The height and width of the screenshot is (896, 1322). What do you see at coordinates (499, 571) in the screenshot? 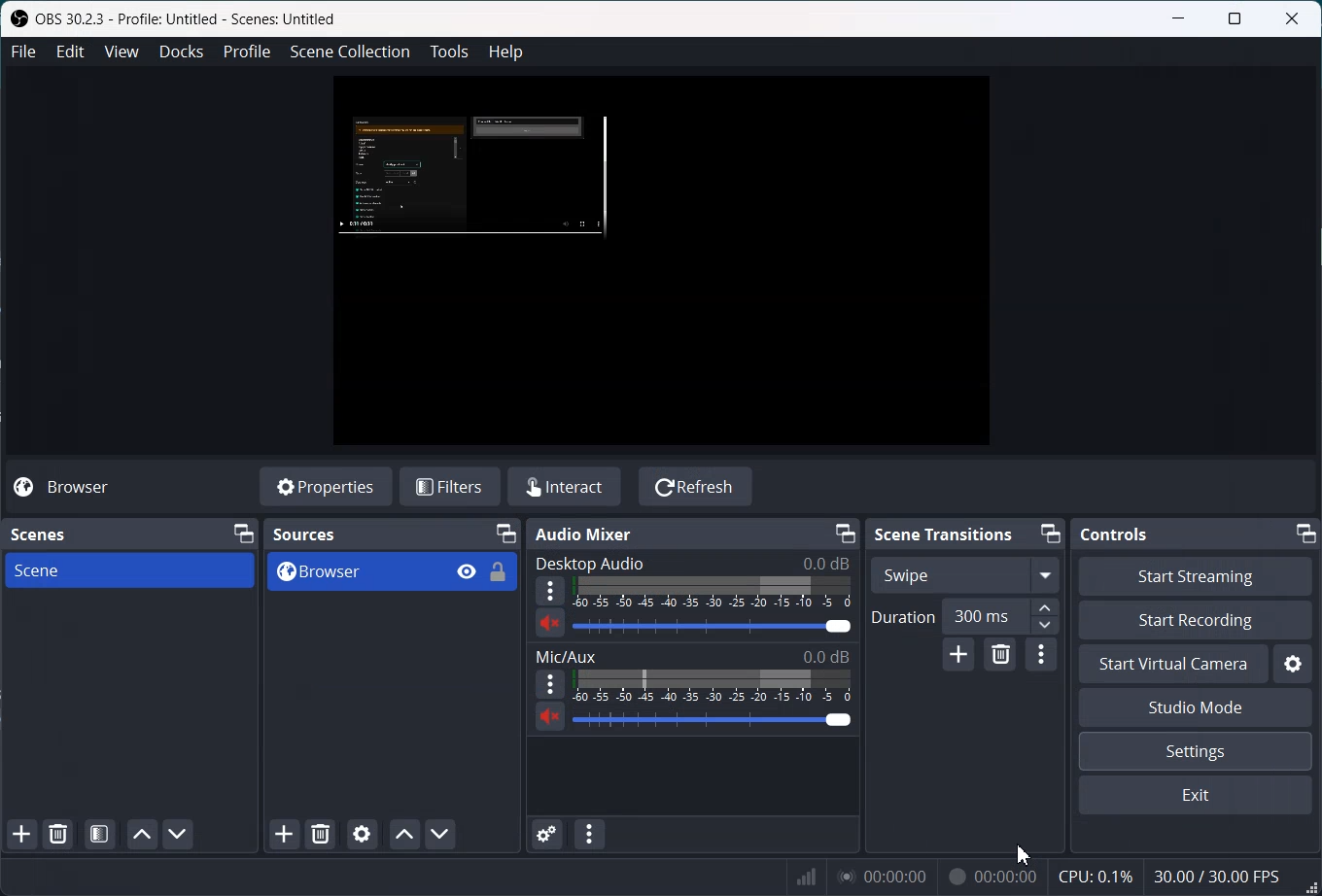
I see `Lock` at bounding box center [499, 571].